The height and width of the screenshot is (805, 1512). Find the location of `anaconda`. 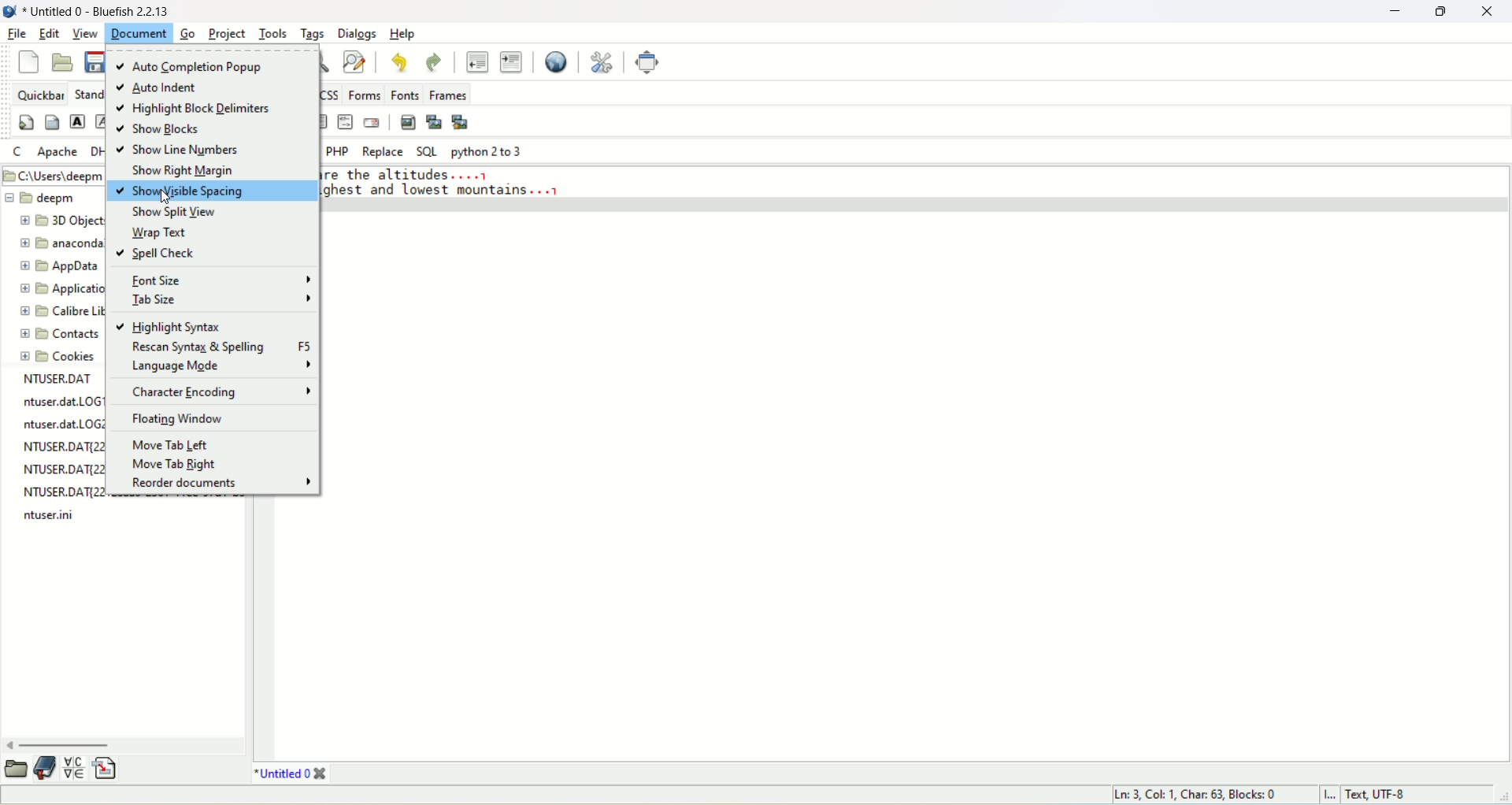

anaconda is located at coordinates (56, 244).